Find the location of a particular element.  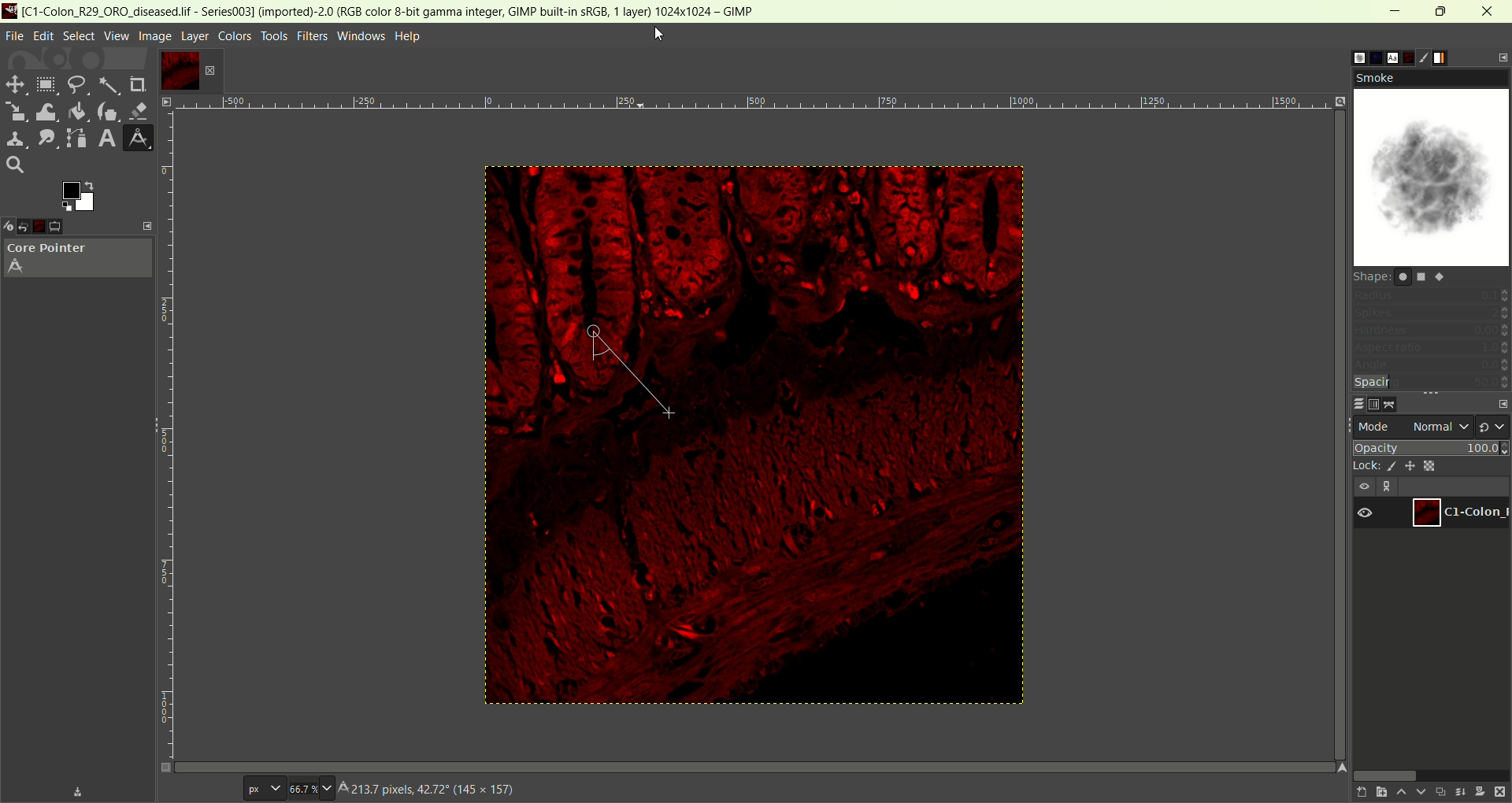

normal is located at coordinates (1440, 426).